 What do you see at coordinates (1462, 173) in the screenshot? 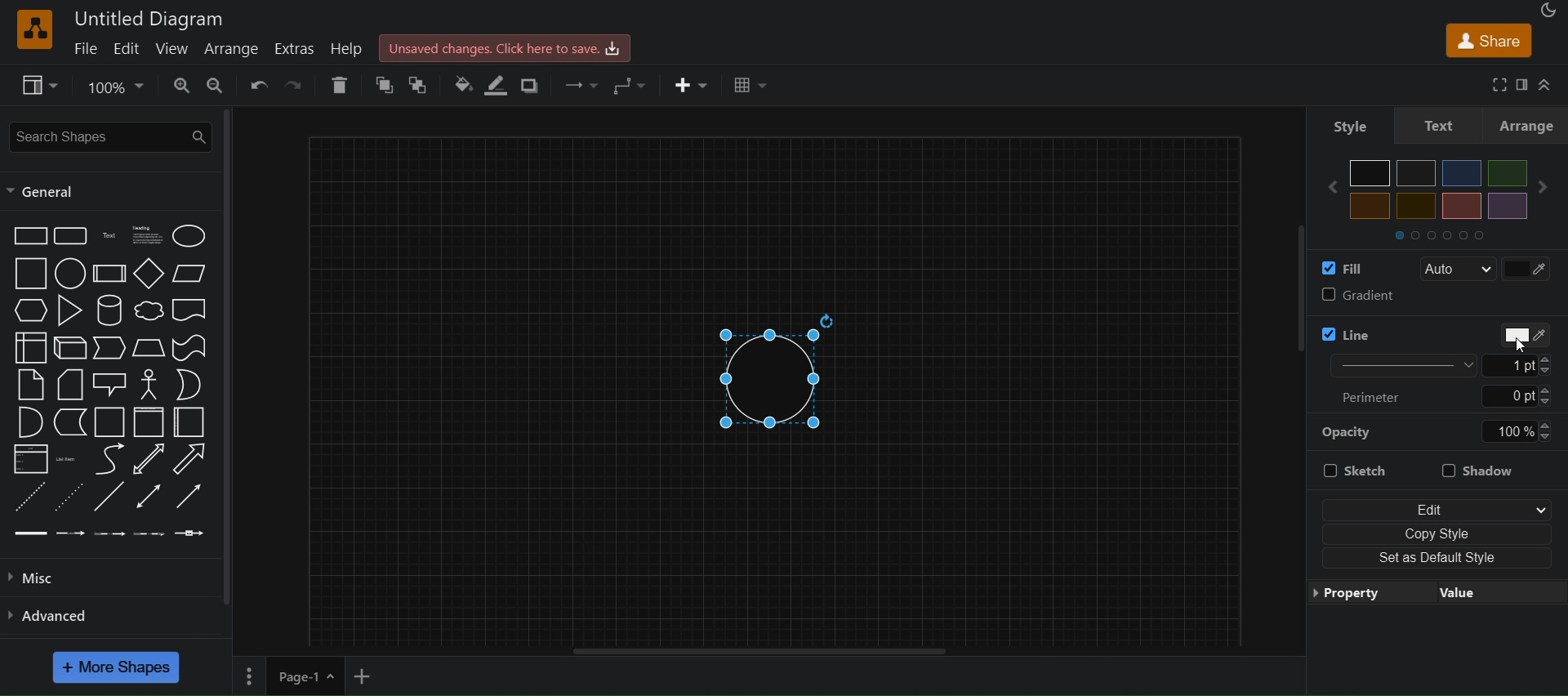
I see `blue color` at bounding box center [1462, 173].